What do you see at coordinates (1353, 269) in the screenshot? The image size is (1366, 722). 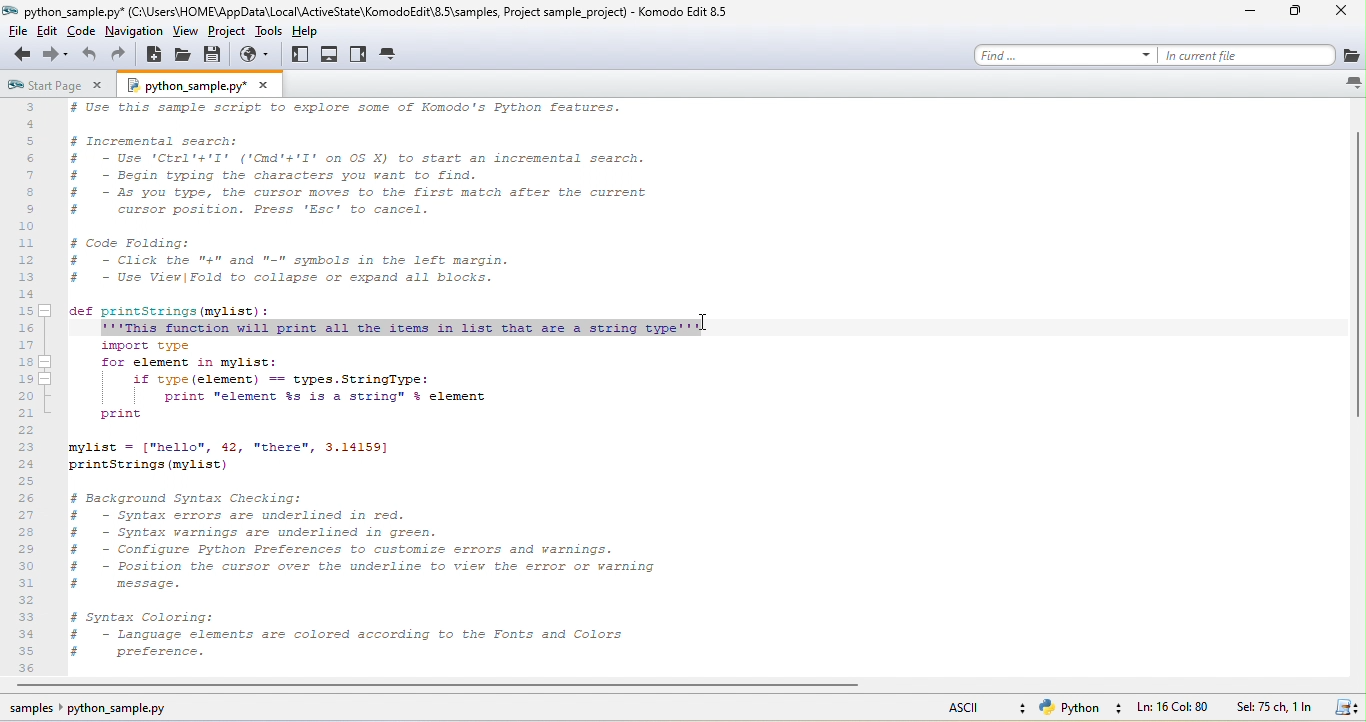 I see `vertical scroll bar` at bounding box center [1353, 269].